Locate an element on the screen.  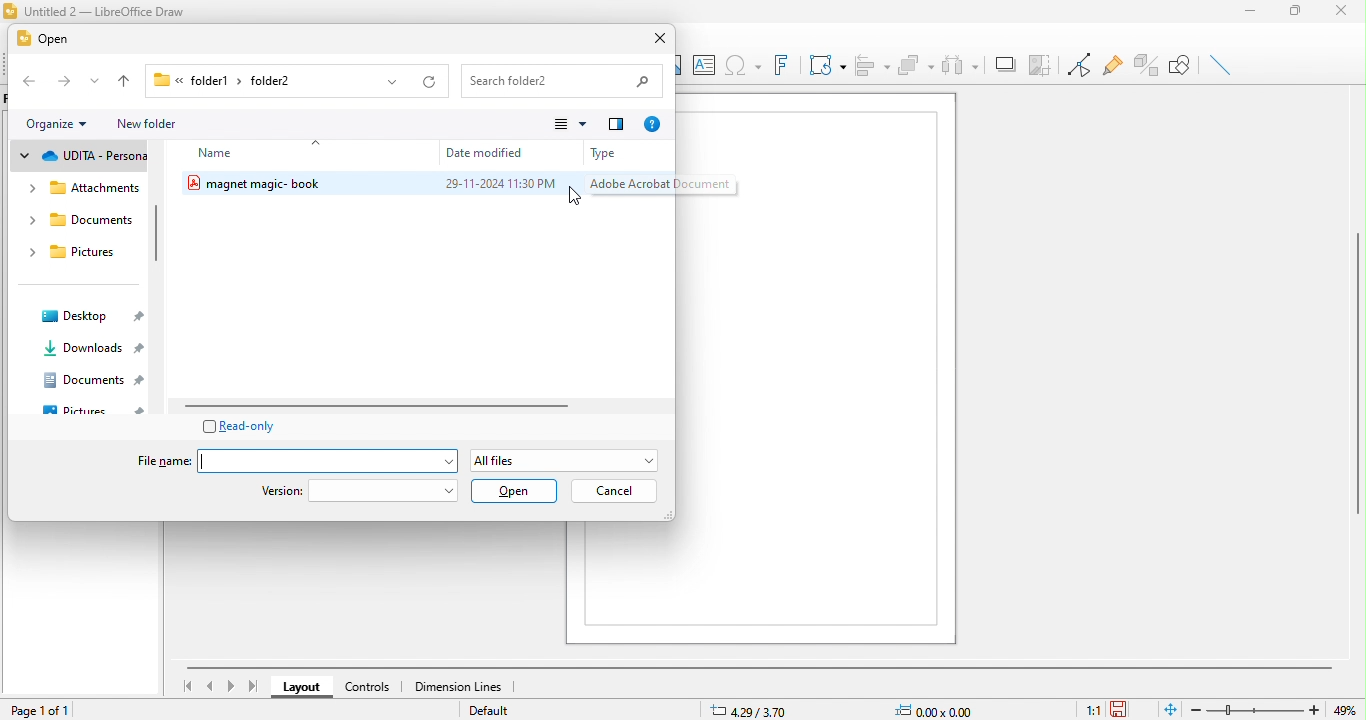
insert line is located at coordinates (1224, 65).